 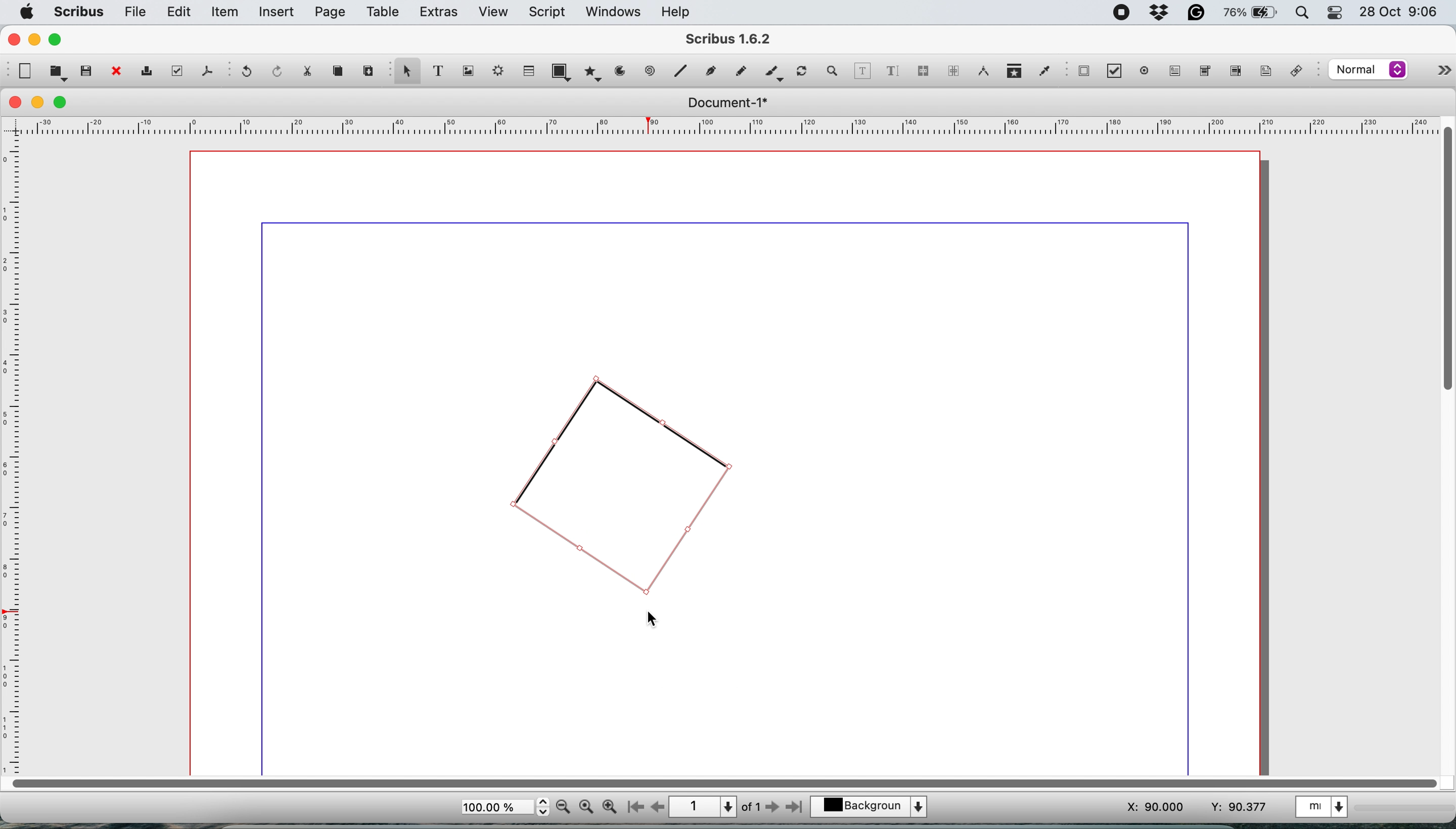 I want to click on more options, so click(x=1439, y=68).